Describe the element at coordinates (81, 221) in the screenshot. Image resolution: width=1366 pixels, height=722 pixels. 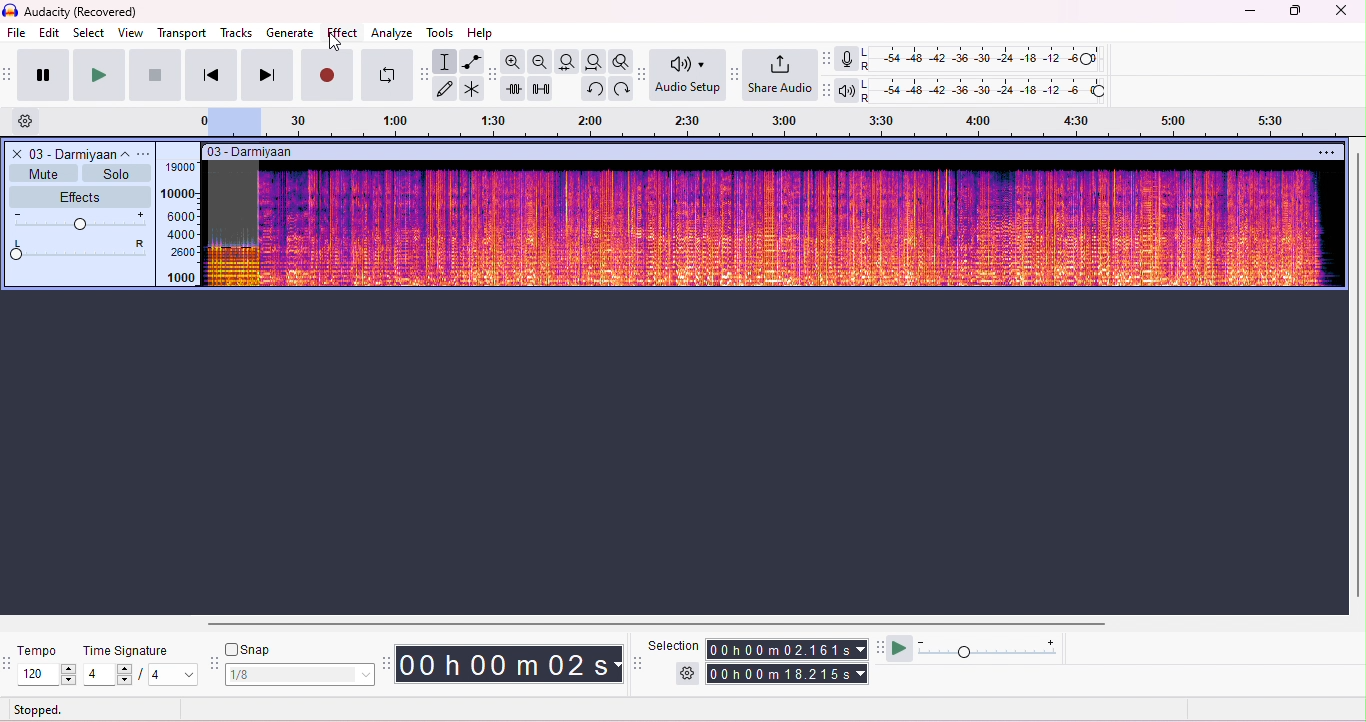
I see `volume` at that location.